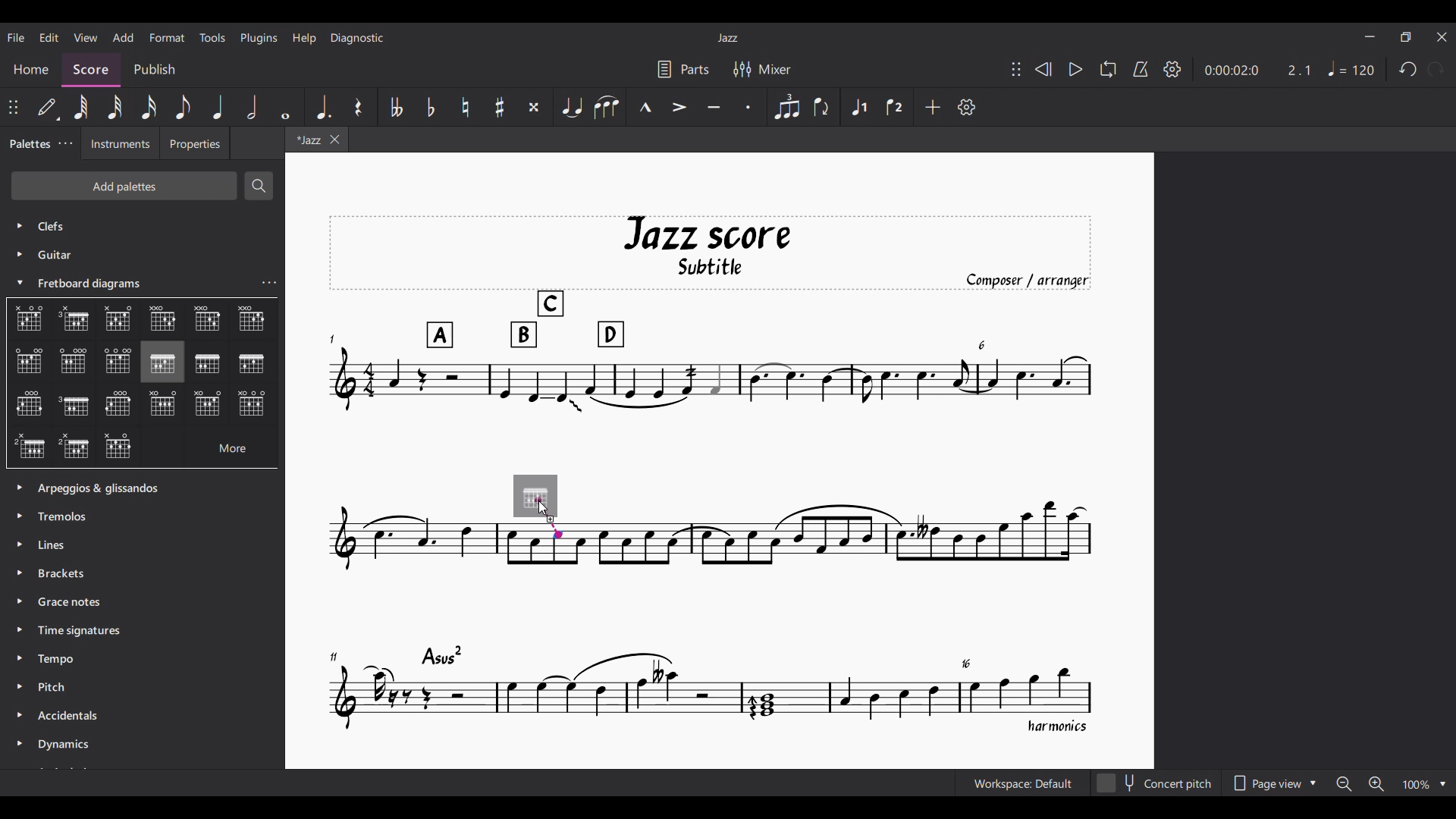  Describe the element at coordinates (395, 107) in the screenshot. I see `Toggle double flat` at that location.